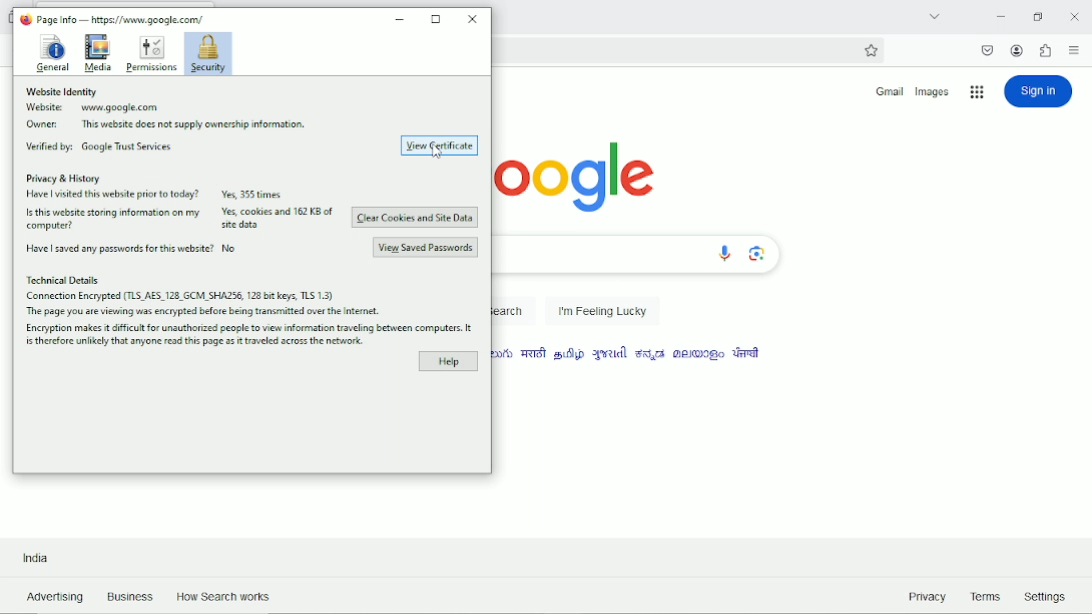 The width and height of the screenshot is (1092, 614). Describe the element at coordinates (248, 318) in the screenshot. I see `Connection Encrypted (TLS AES. 128 GCM _SHAZSG, 128 bit keys, TLS 13)The page you ae viewing was encrypted before being transmited over the internet.Encryption makes it dificult for unauthorized people to view information travelling between computers. It is therefore unlikely someone read this information as it traveled over the network.` at that location.